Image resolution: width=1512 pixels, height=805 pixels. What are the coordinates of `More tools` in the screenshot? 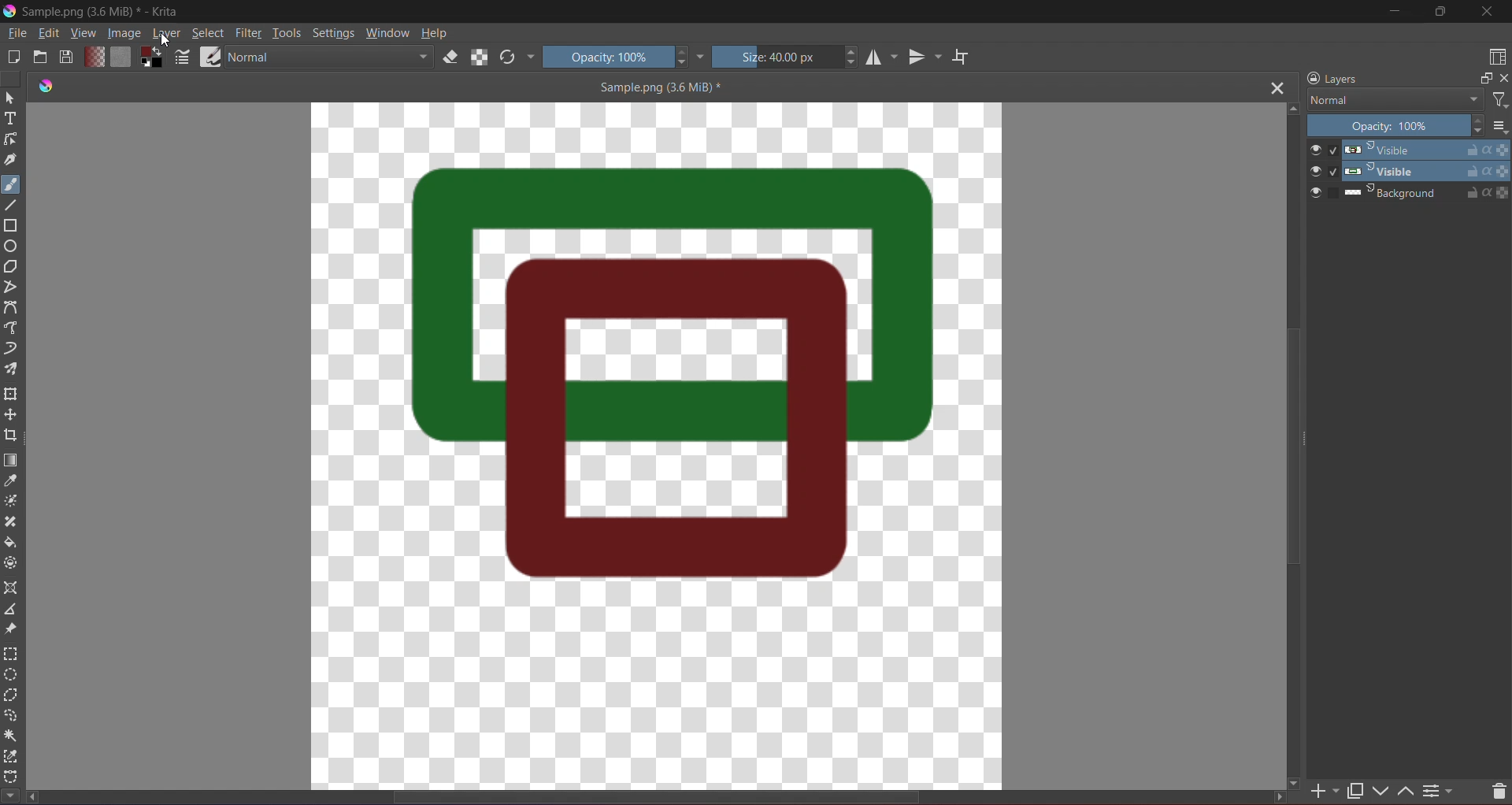 It's located at (10, 793).